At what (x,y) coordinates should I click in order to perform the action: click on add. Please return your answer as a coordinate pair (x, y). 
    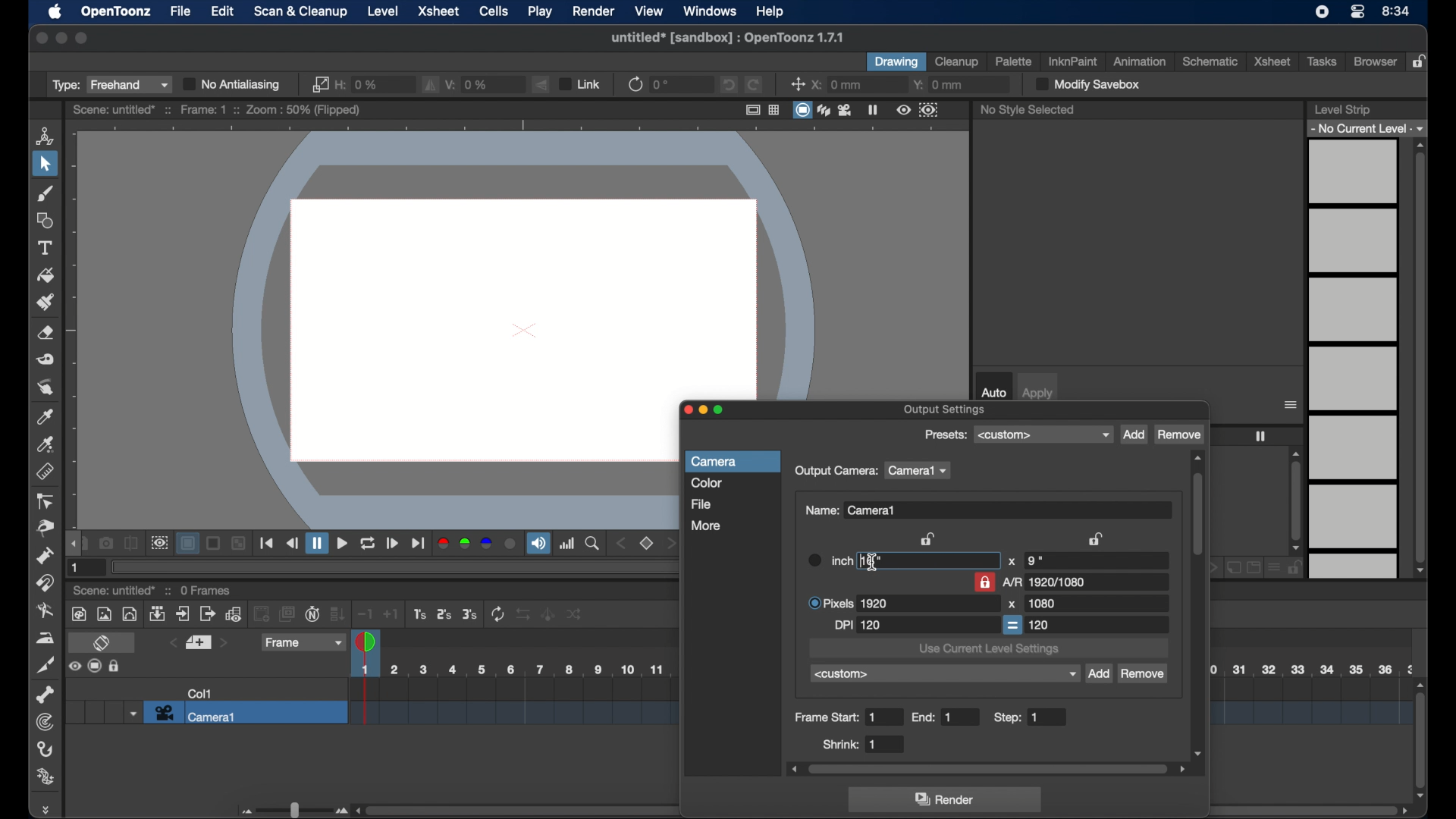
    Looking at the image, I should click on (1098, 674).